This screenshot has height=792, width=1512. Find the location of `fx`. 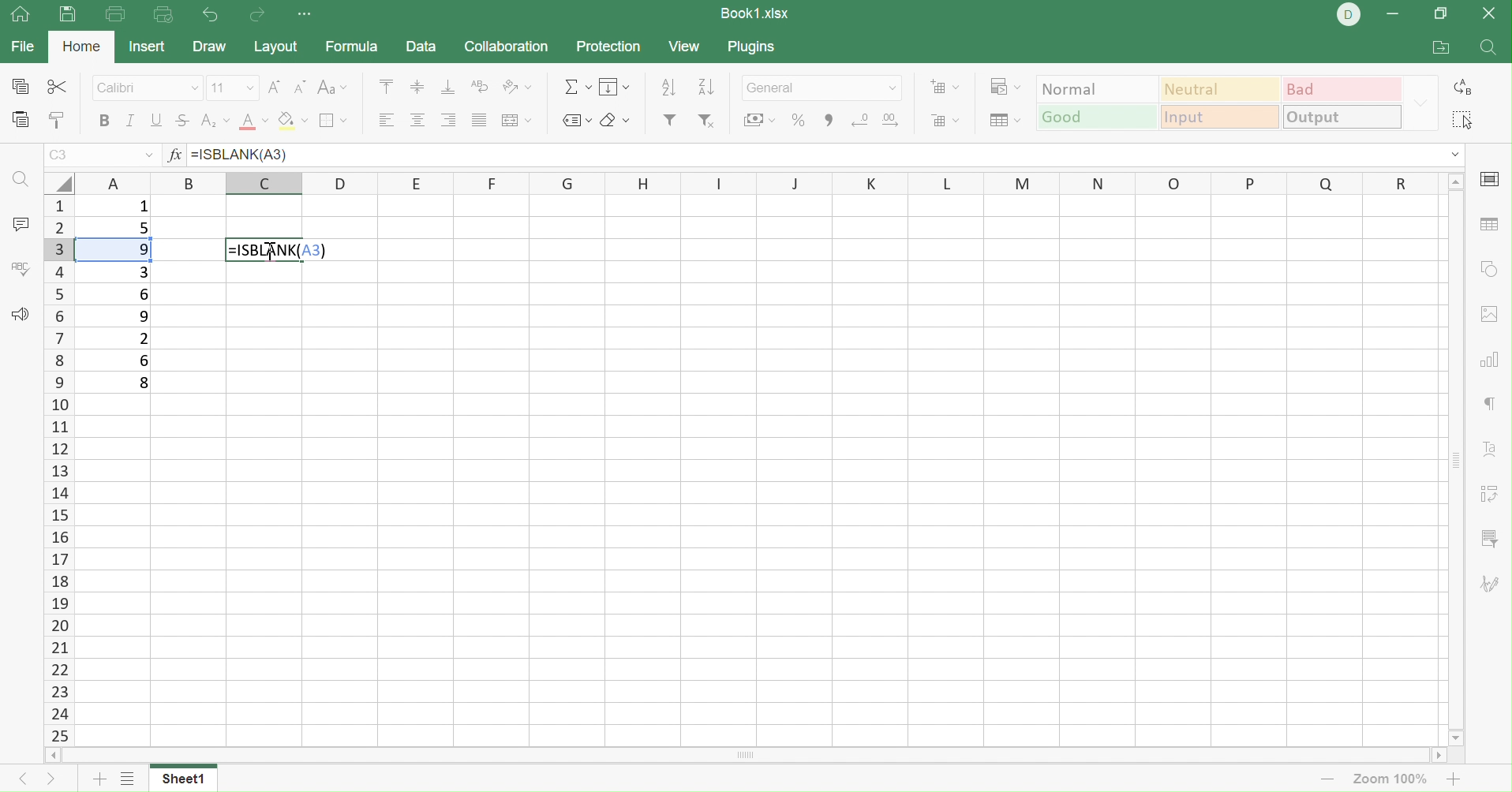

fx is located at coordinates (173, 155).